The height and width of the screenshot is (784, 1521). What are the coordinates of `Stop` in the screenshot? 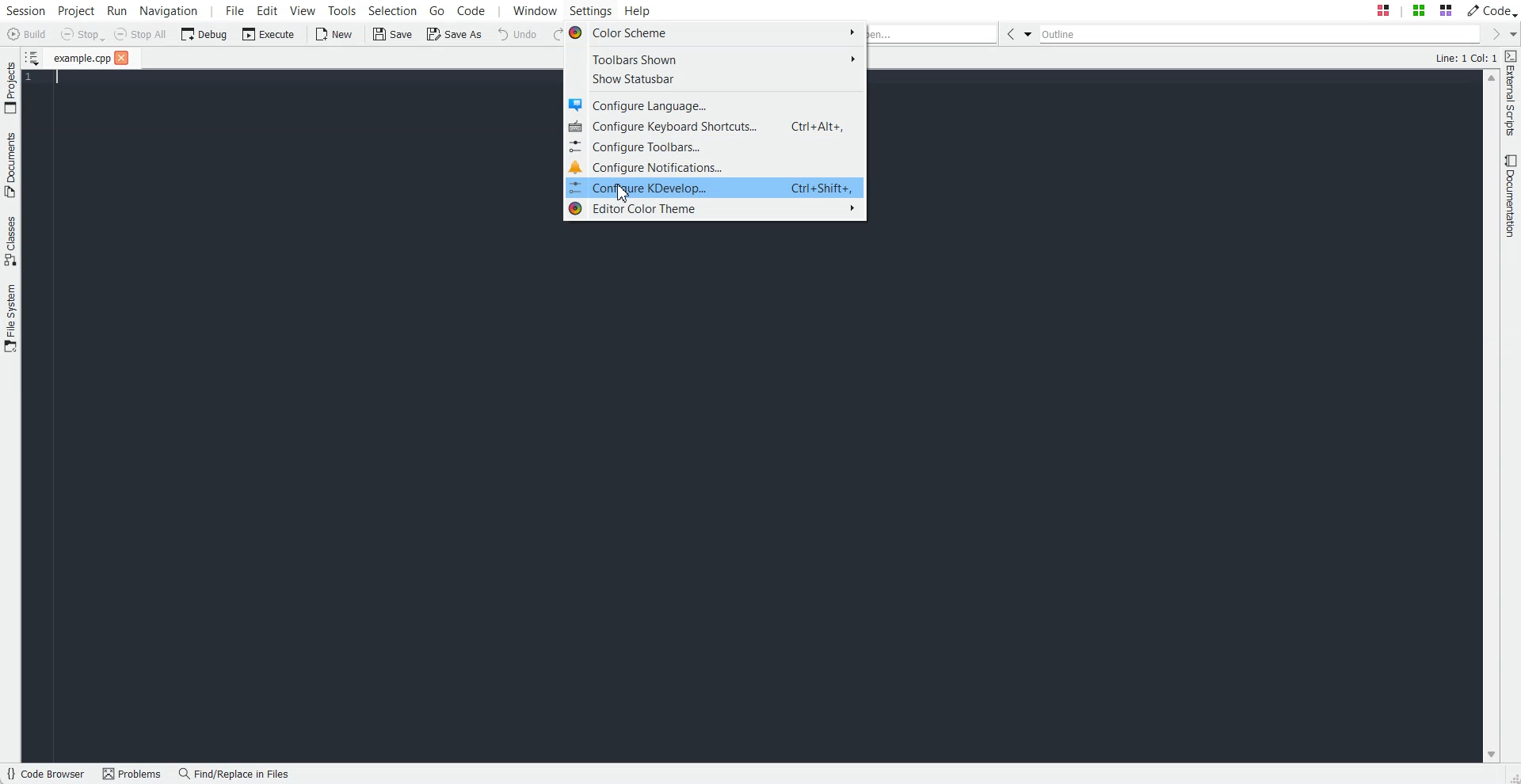 It's located at (82, 35).